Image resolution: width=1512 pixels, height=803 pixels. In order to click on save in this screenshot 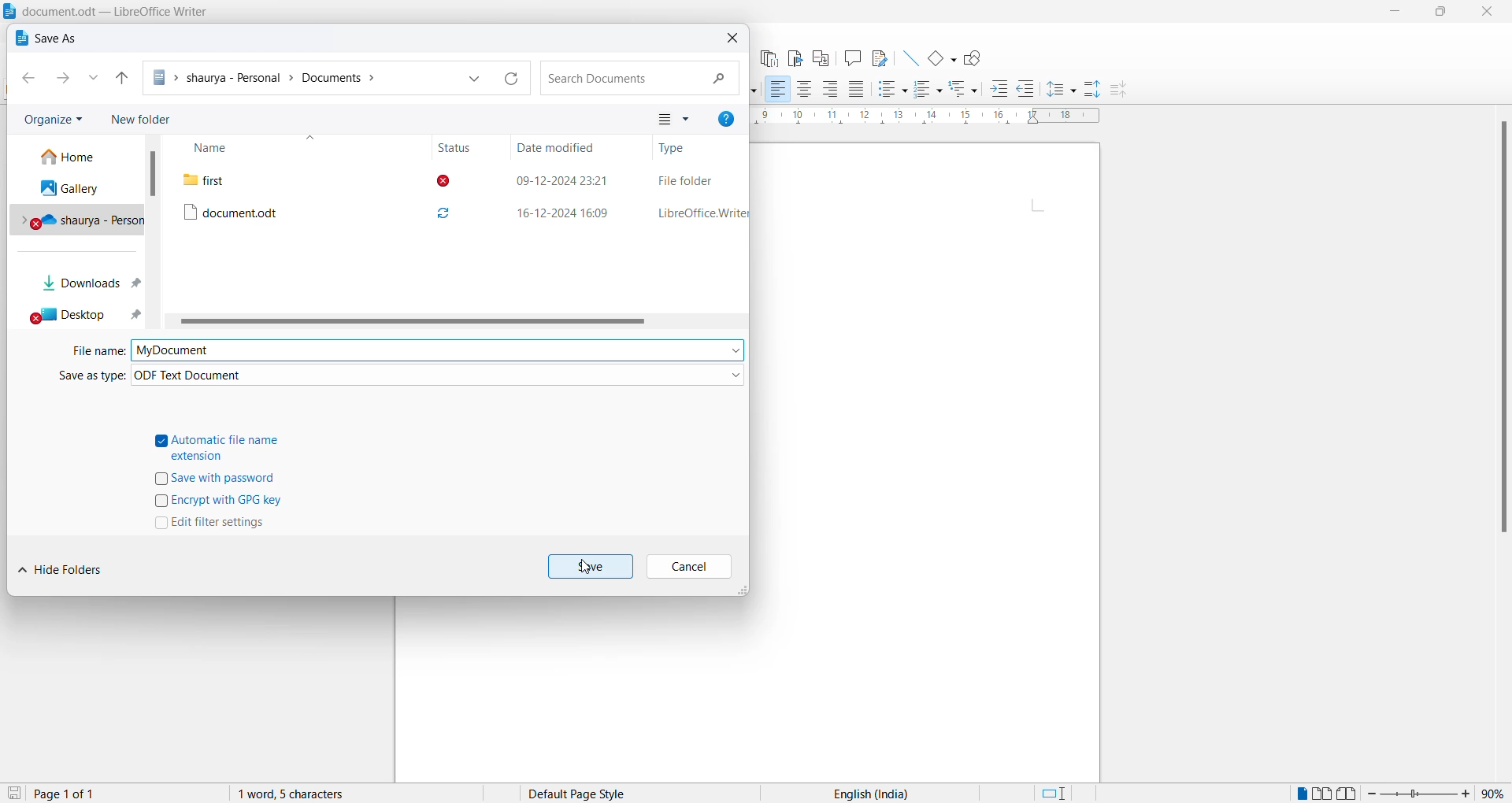, I will do `click(13, 794)`.